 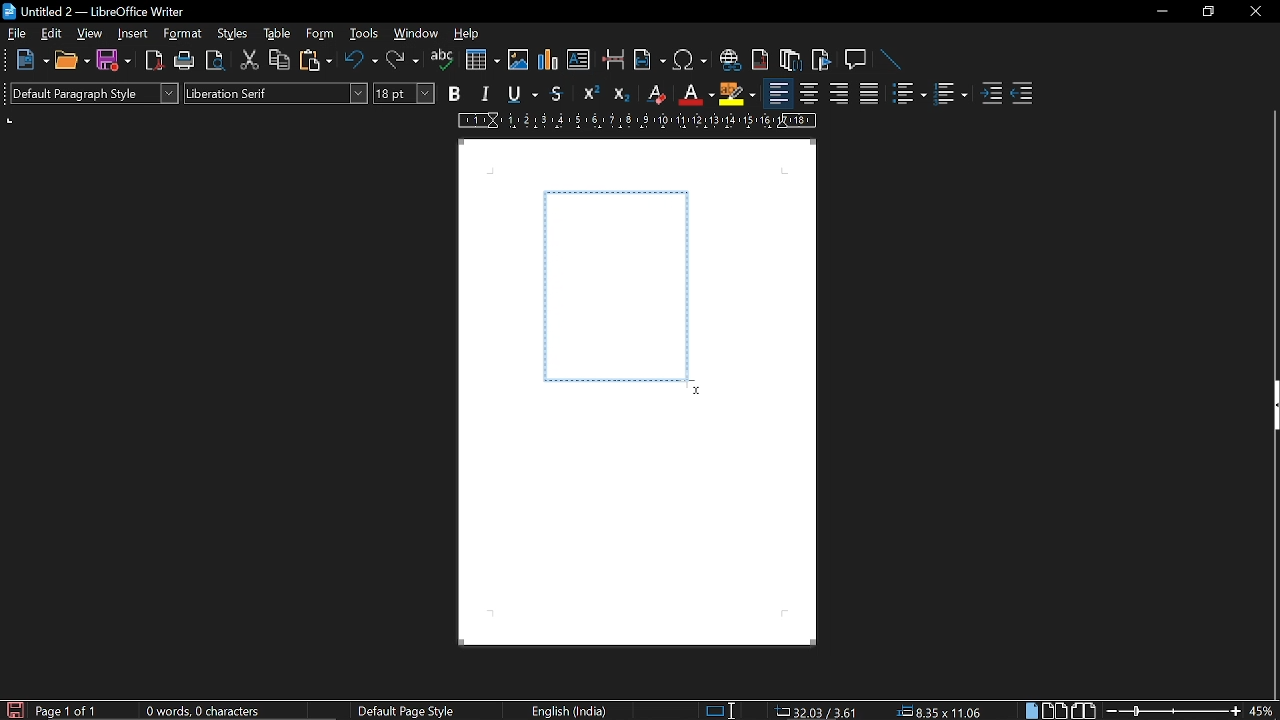 I want to click on standard selection, so click(x=722, y=710).